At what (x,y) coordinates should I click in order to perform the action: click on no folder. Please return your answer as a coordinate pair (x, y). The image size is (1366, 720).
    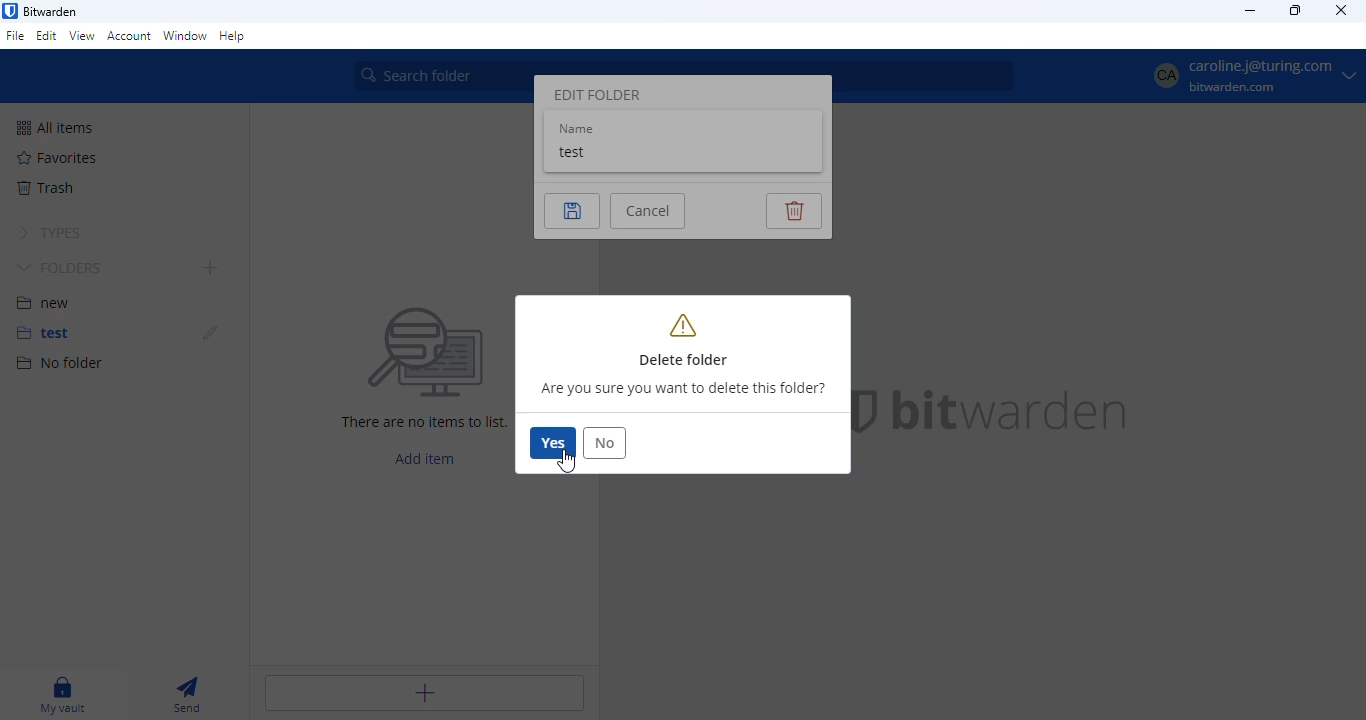
    Looking at the image, I should click on (60, 364).